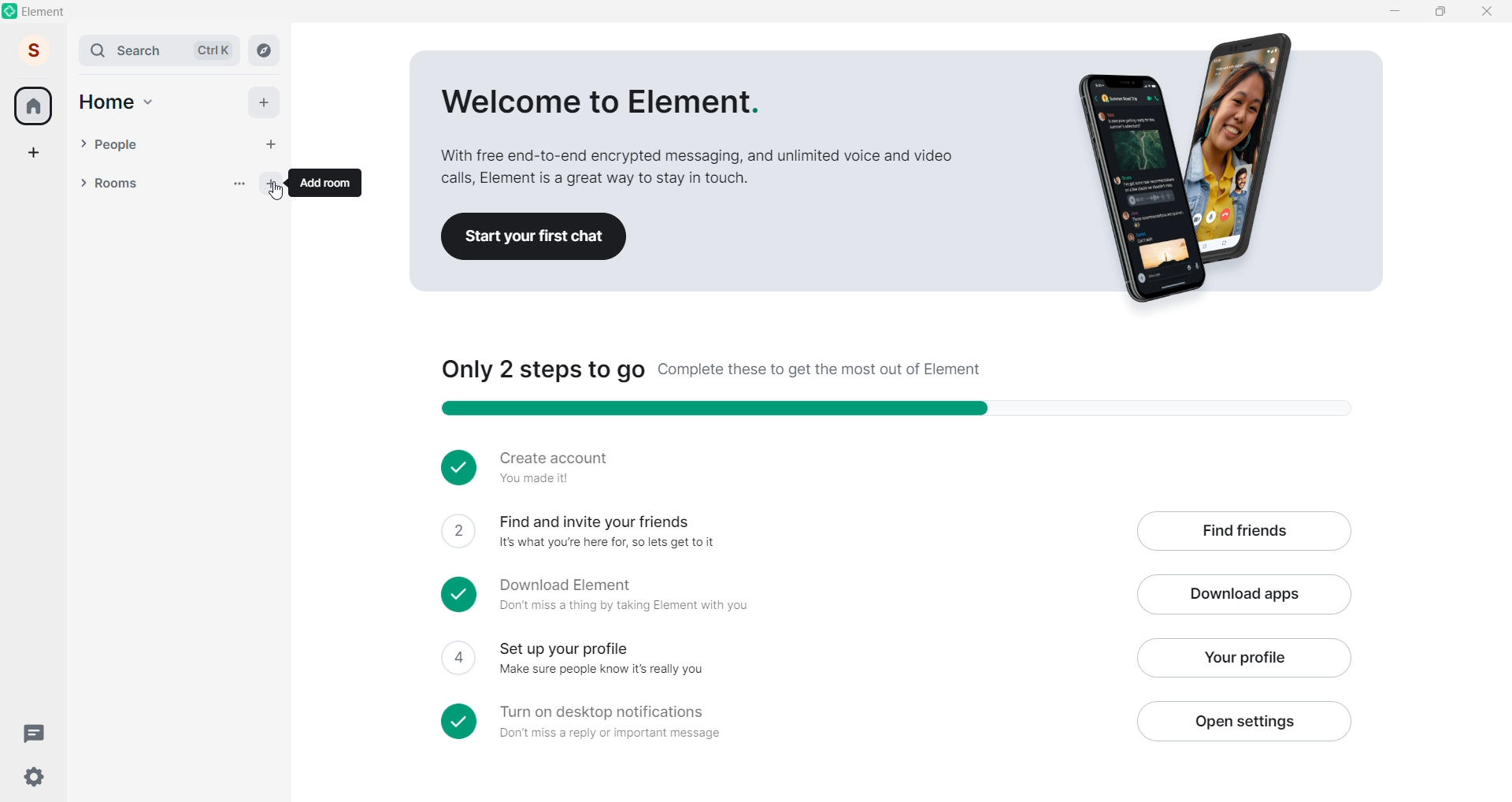  Describe the element at coordinates (158, 184) in the screenshot. I see `Rooms` at that location.